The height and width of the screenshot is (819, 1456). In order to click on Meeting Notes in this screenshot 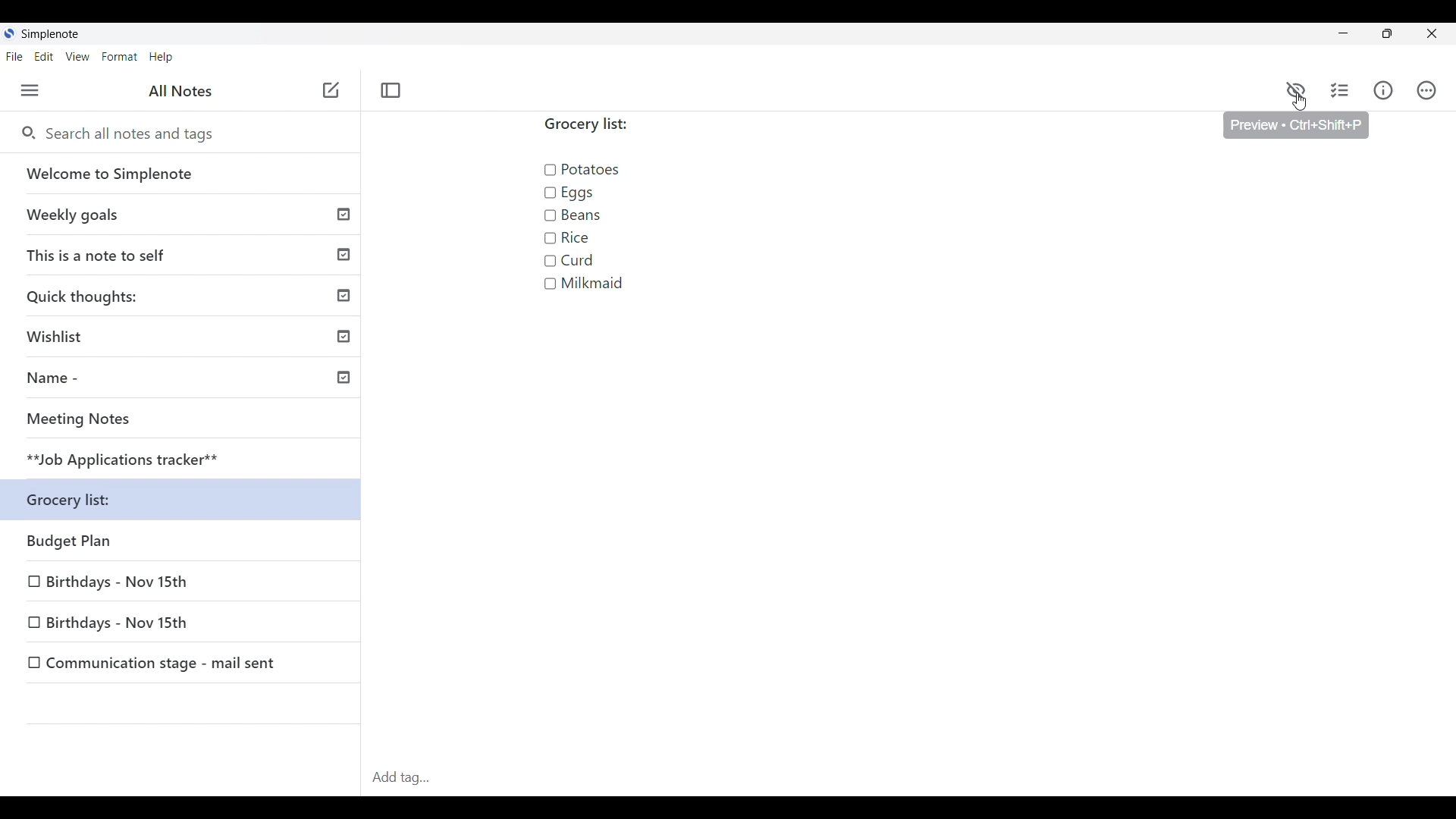, I will do `click(186, 421)`.